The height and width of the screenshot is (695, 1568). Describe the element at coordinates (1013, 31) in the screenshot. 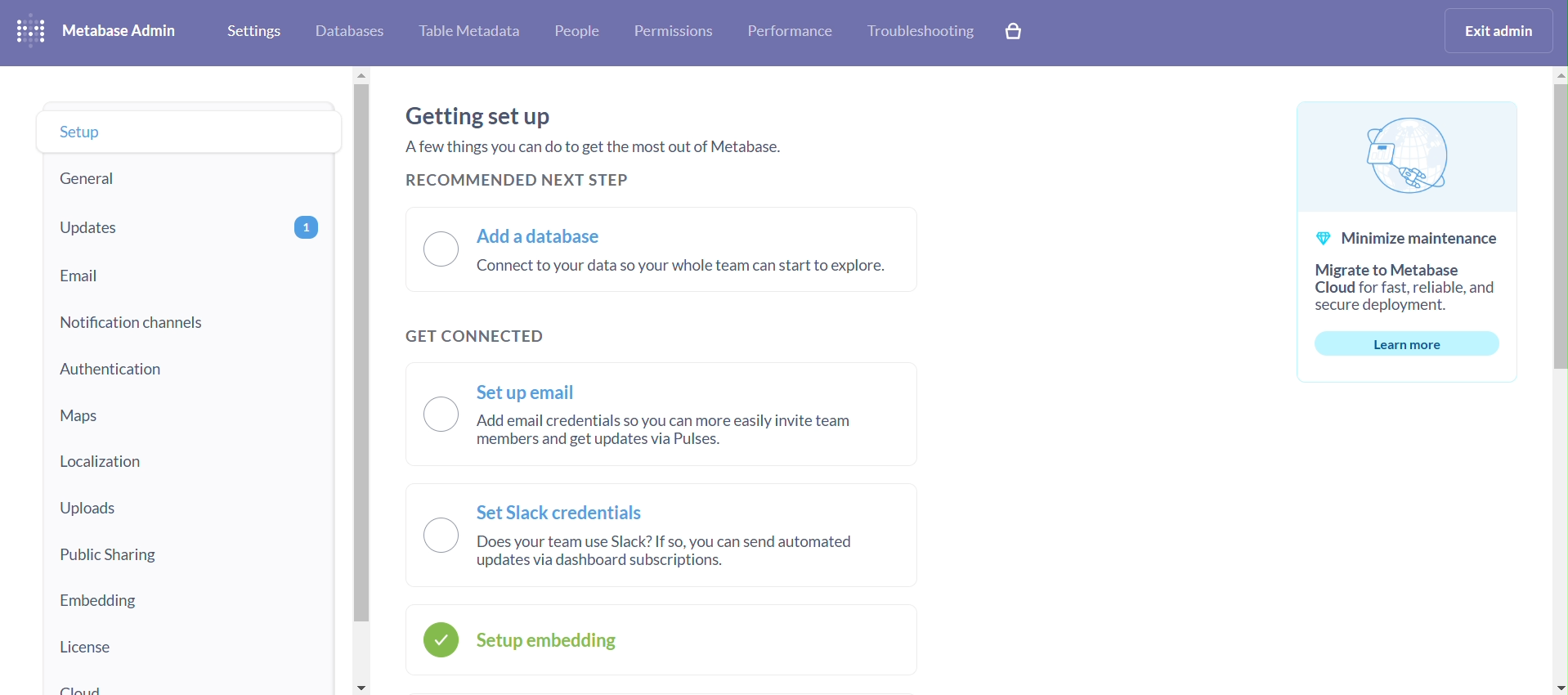

I see `explore paid features` at that location.